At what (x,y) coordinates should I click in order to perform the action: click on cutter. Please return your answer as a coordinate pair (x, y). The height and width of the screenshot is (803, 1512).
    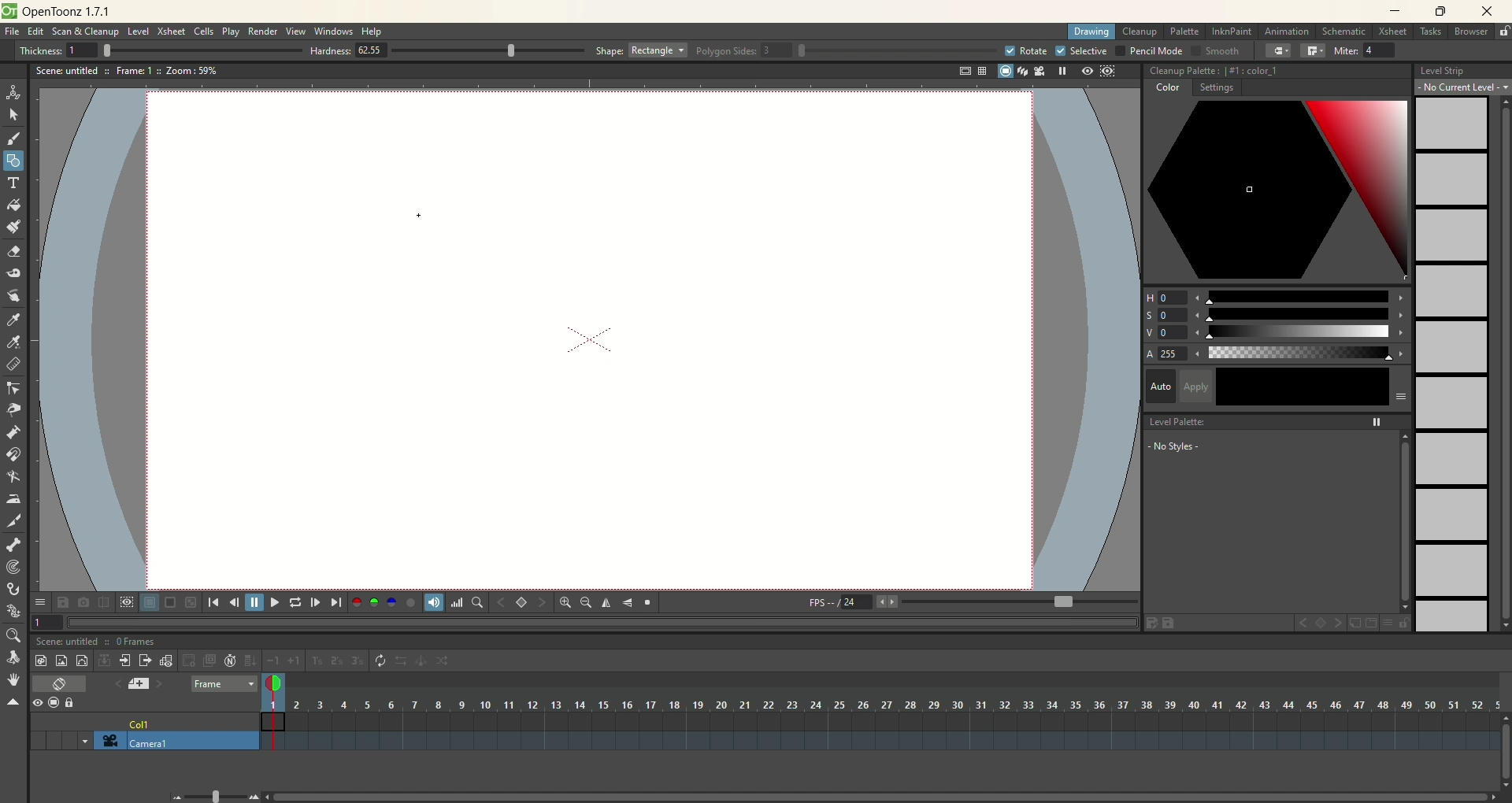
    Looking at the image, I should click on (16, 520).